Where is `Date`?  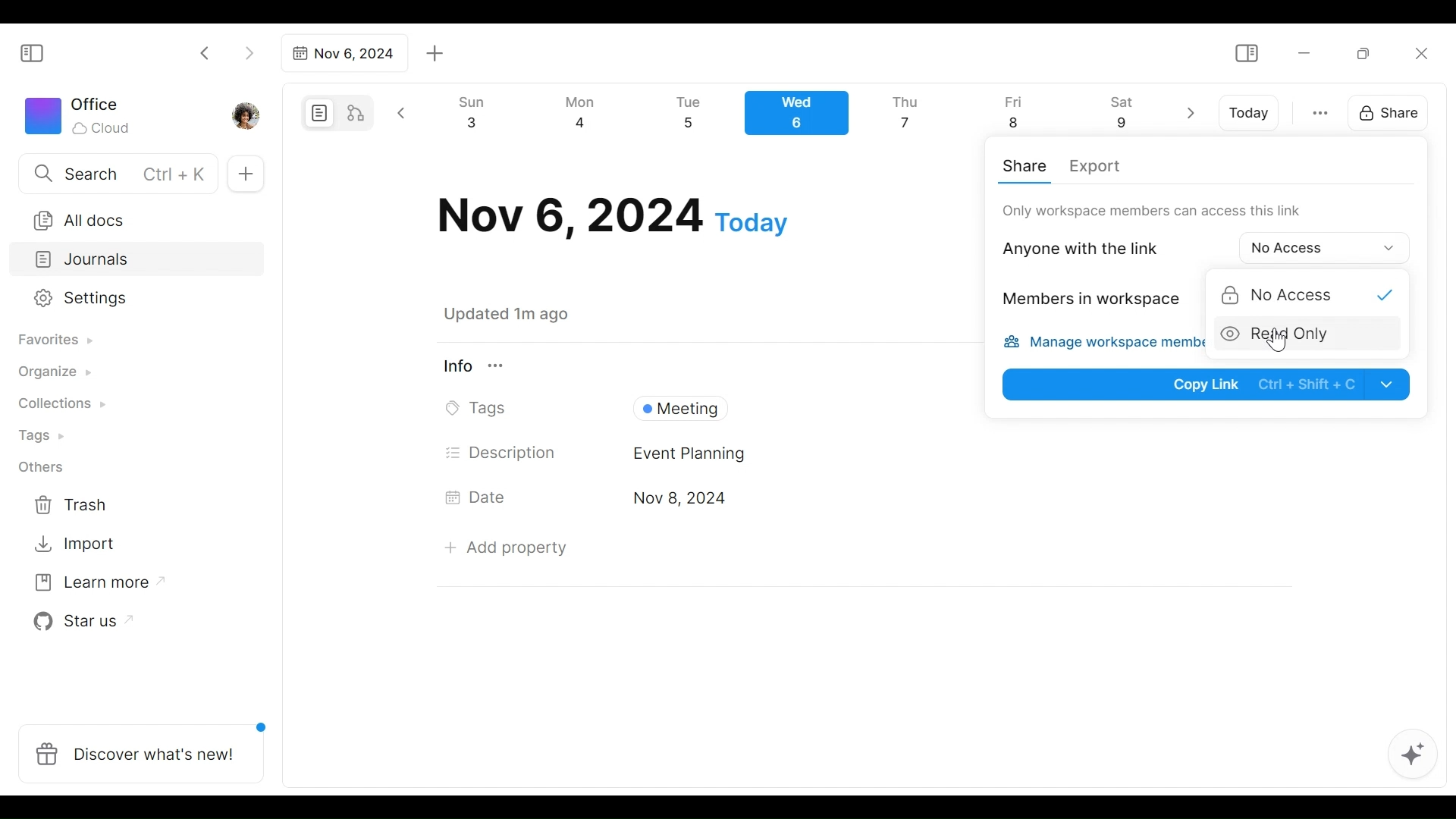 Date is located at coordinates (613, 216).